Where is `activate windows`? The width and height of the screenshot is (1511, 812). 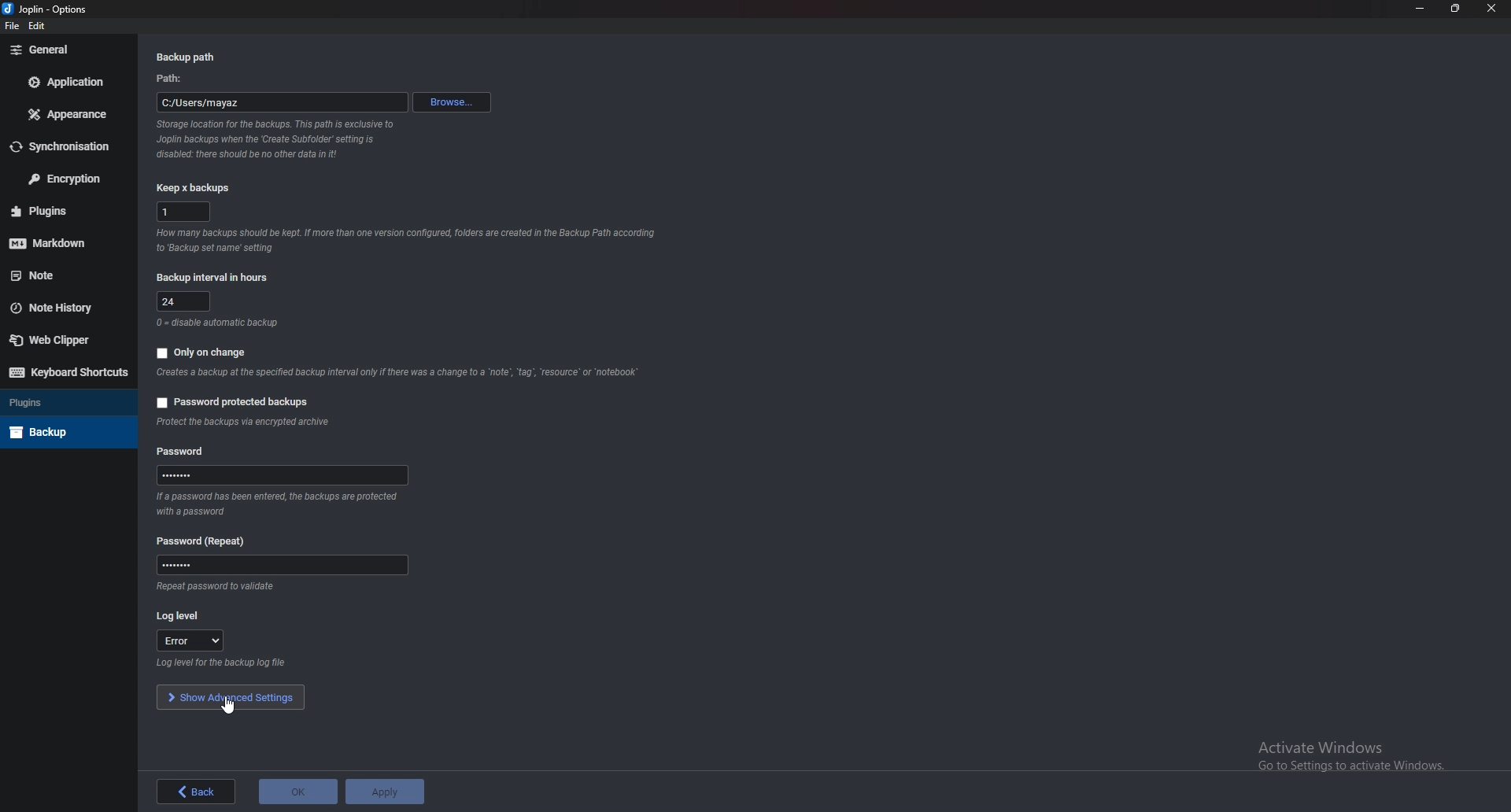 activate windows is located at coordinates (1362, 752).